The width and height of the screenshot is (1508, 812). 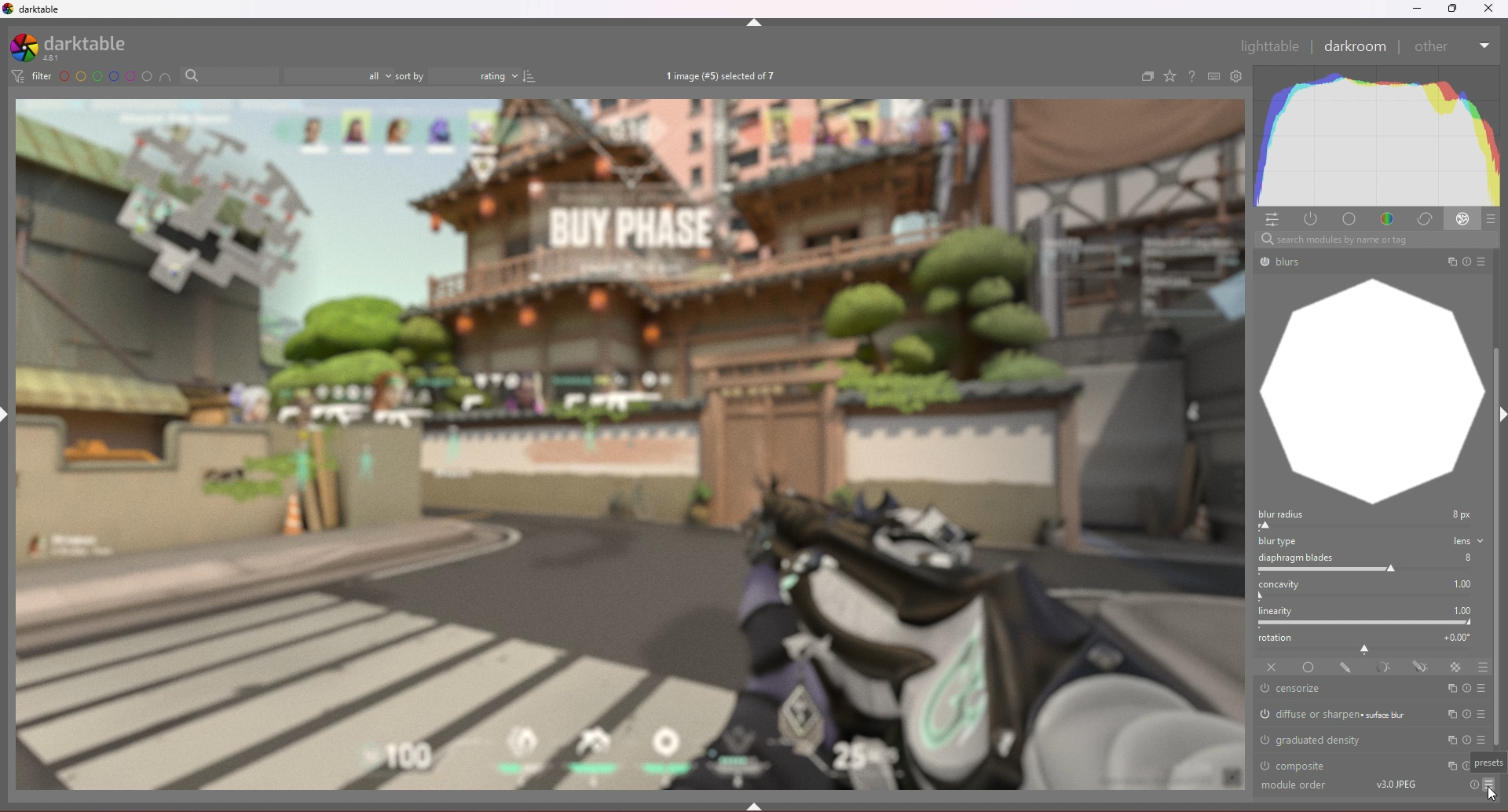 What do you see at coordinates (530, 75) in the screenshot?
I see `reverse sort order` at bounding box center [530, 75].